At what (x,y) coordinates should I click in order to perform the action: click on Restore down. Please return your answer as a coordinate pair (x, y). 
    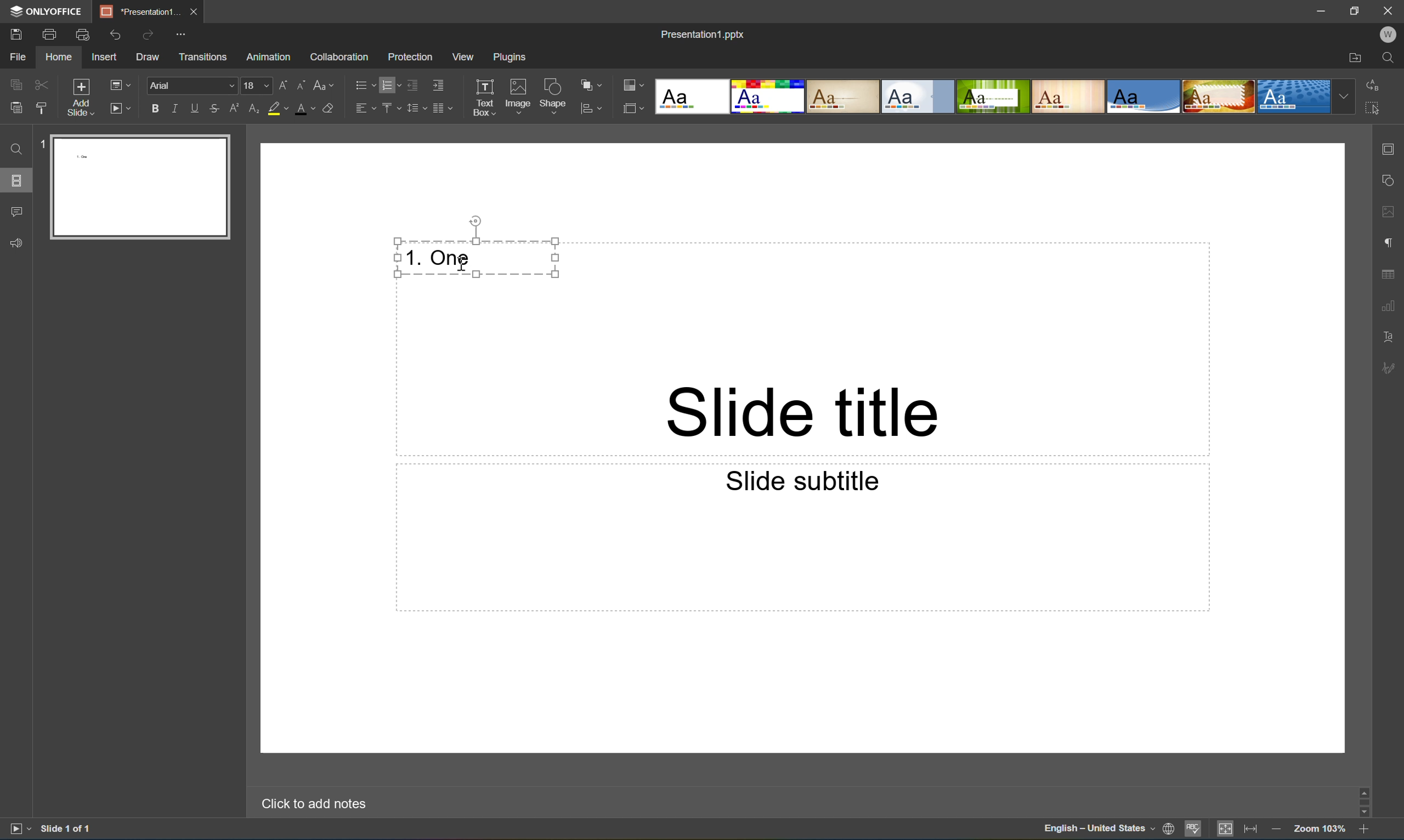
    Looking at the image, I should click on (1358, 10).